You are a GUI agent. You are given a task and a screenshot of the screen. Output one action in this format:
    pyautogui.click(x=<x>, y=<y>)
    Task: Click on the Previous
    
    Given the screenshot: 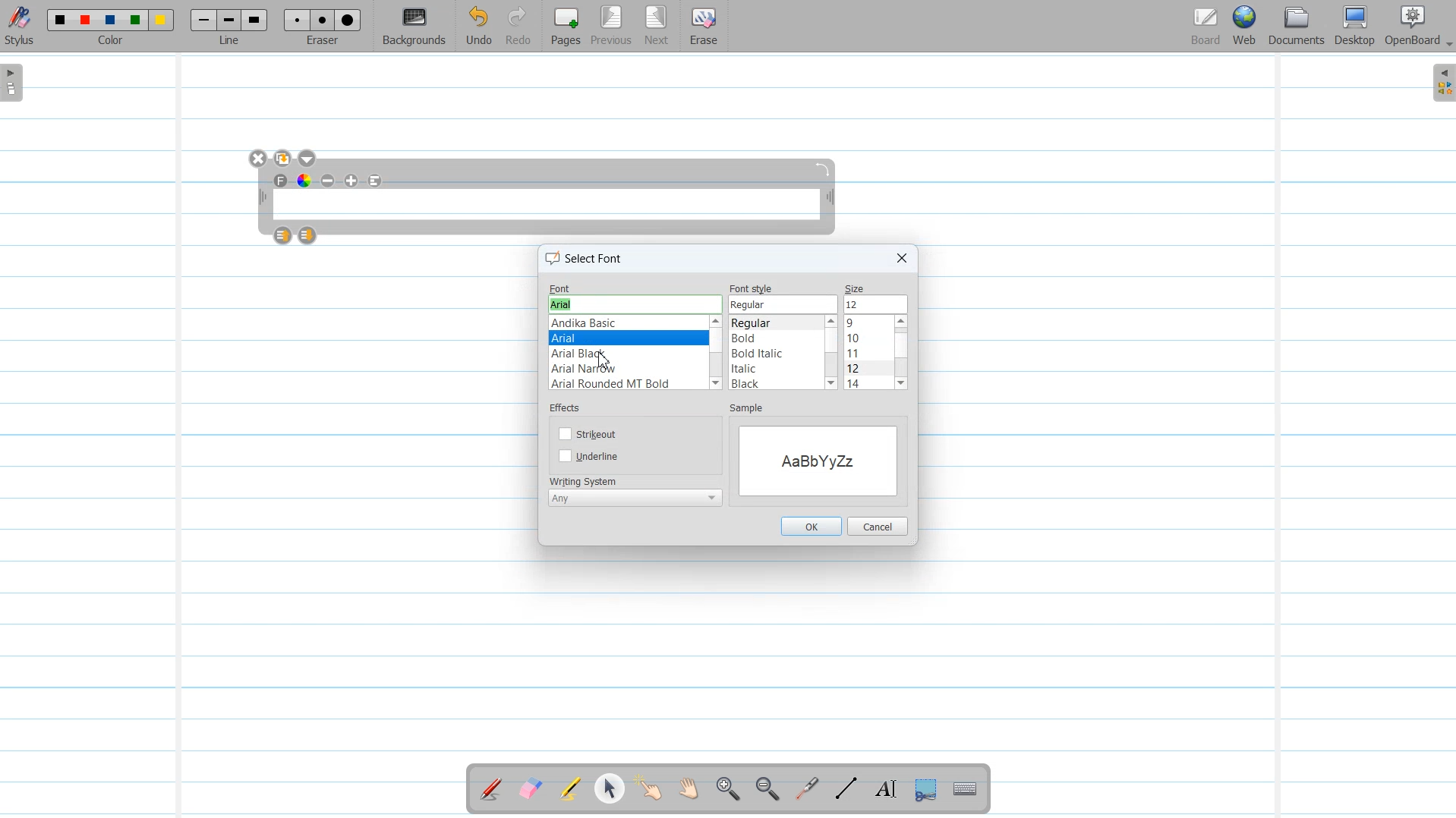 What is the action you would take?
    pyautogui.click(x=613, y=27)
    